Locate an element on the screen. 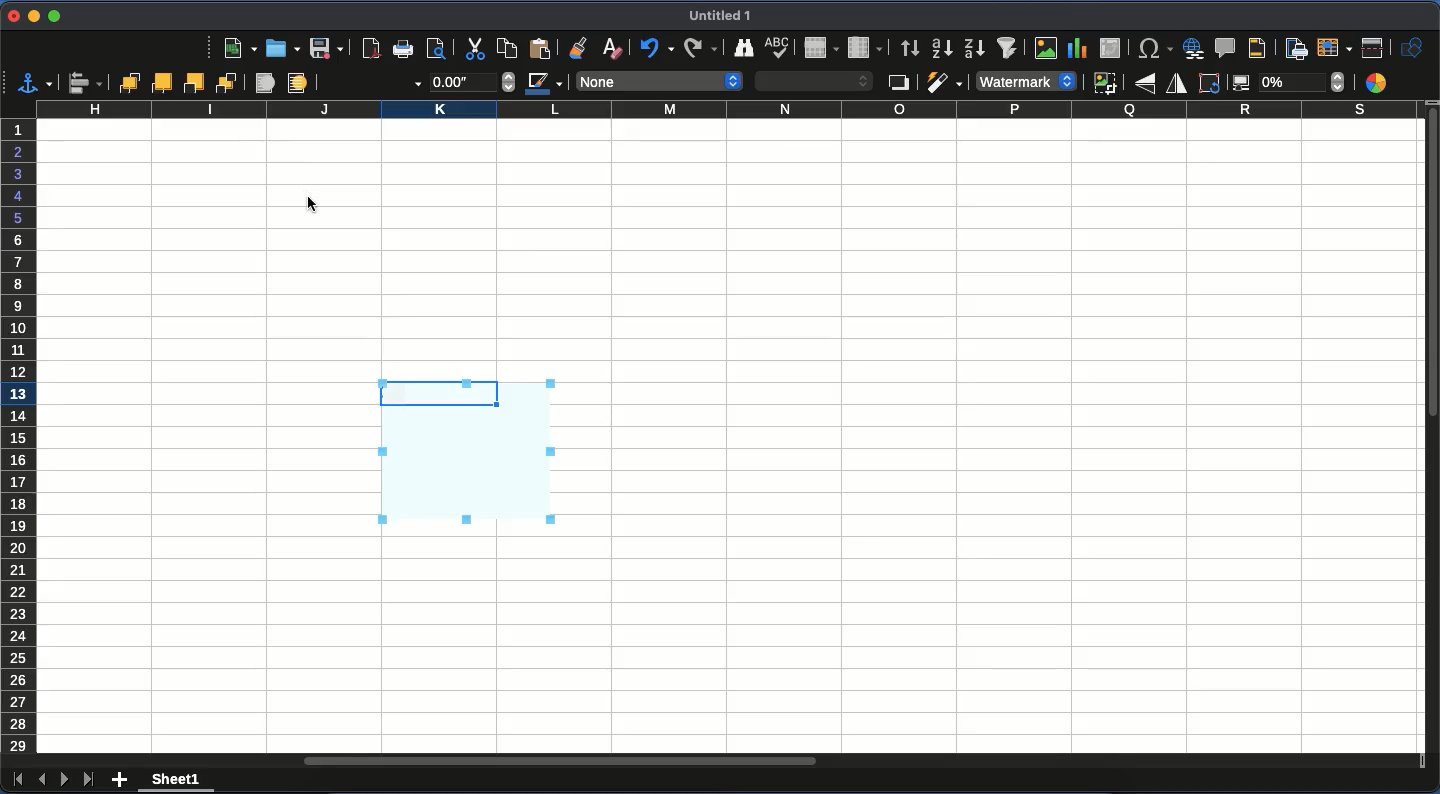 Image resolution: width=1440 pixels, height=794 pixels. previous sheet is located at coordinates (41, 779).